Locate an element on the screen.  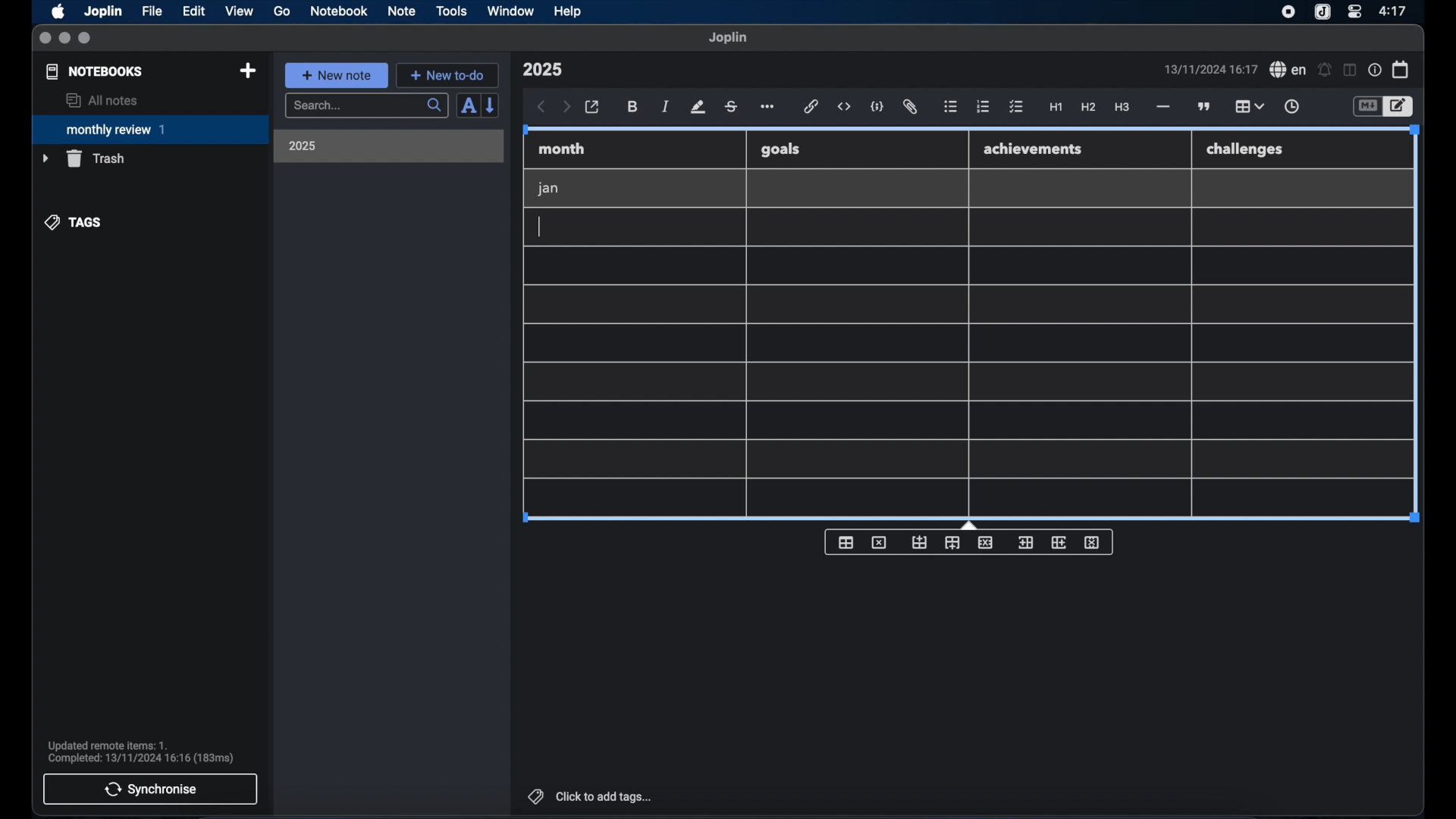
apple icon is located at coordinates (57, 11).